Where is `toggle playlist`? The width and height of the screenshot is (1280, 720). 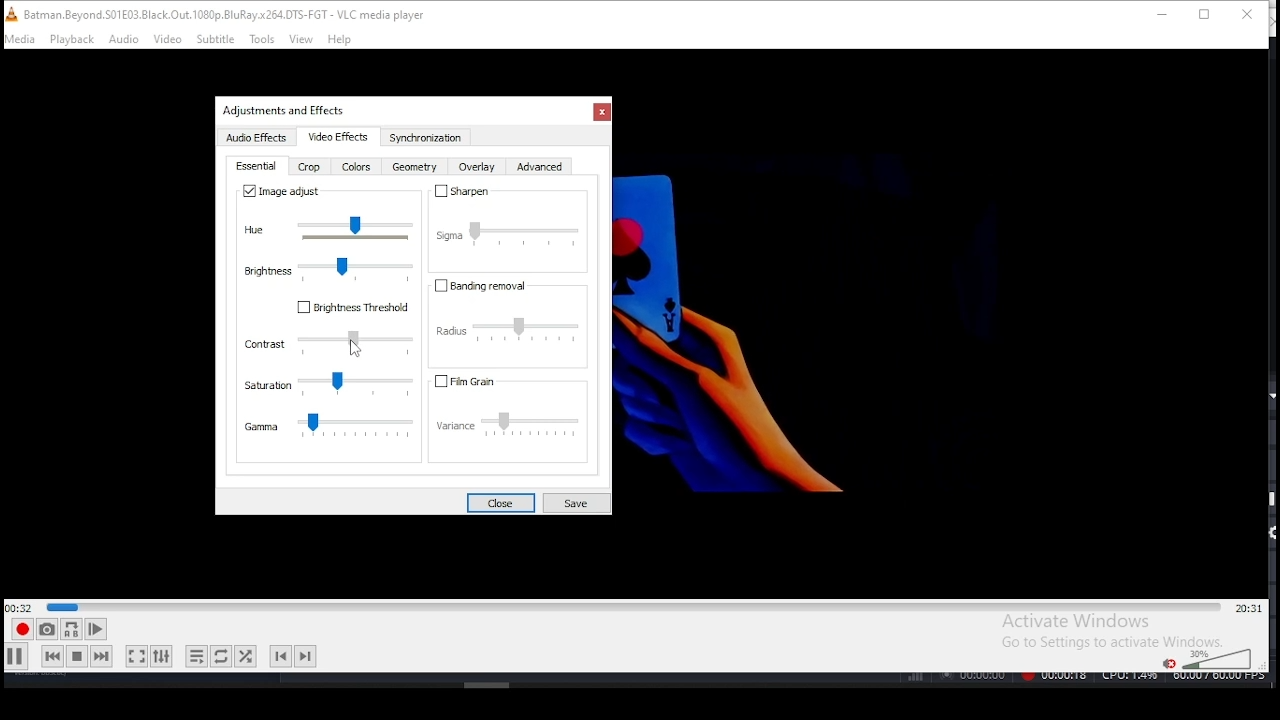
toggle playlist is located at coordinates (196, 654).